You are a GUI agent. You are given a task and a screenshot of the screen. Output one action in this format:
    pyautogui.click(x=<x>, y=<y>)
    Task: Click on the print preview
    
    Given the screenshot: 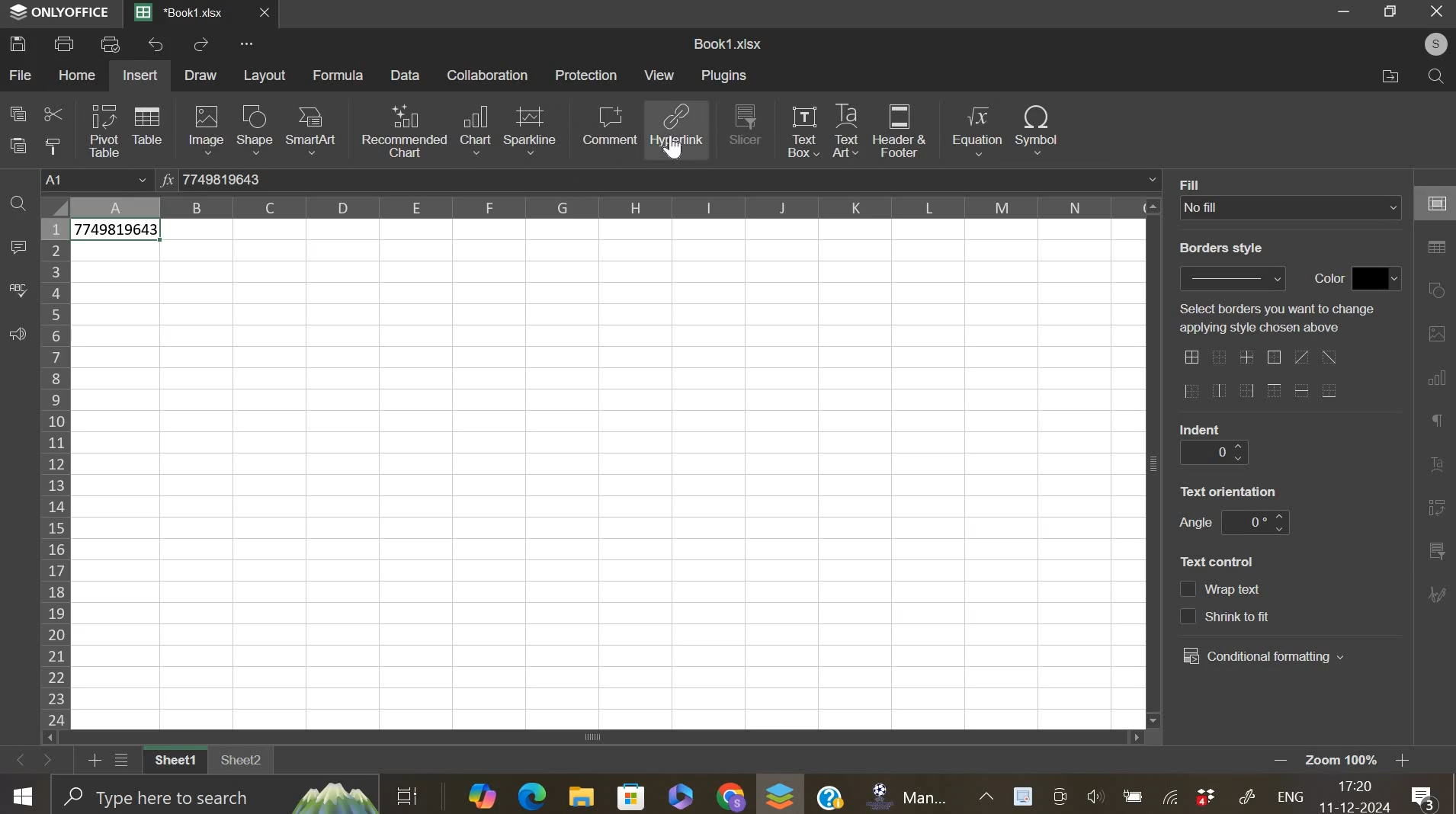 What is the action you would take?
    pyautogui.click(x=111, y=43)
    